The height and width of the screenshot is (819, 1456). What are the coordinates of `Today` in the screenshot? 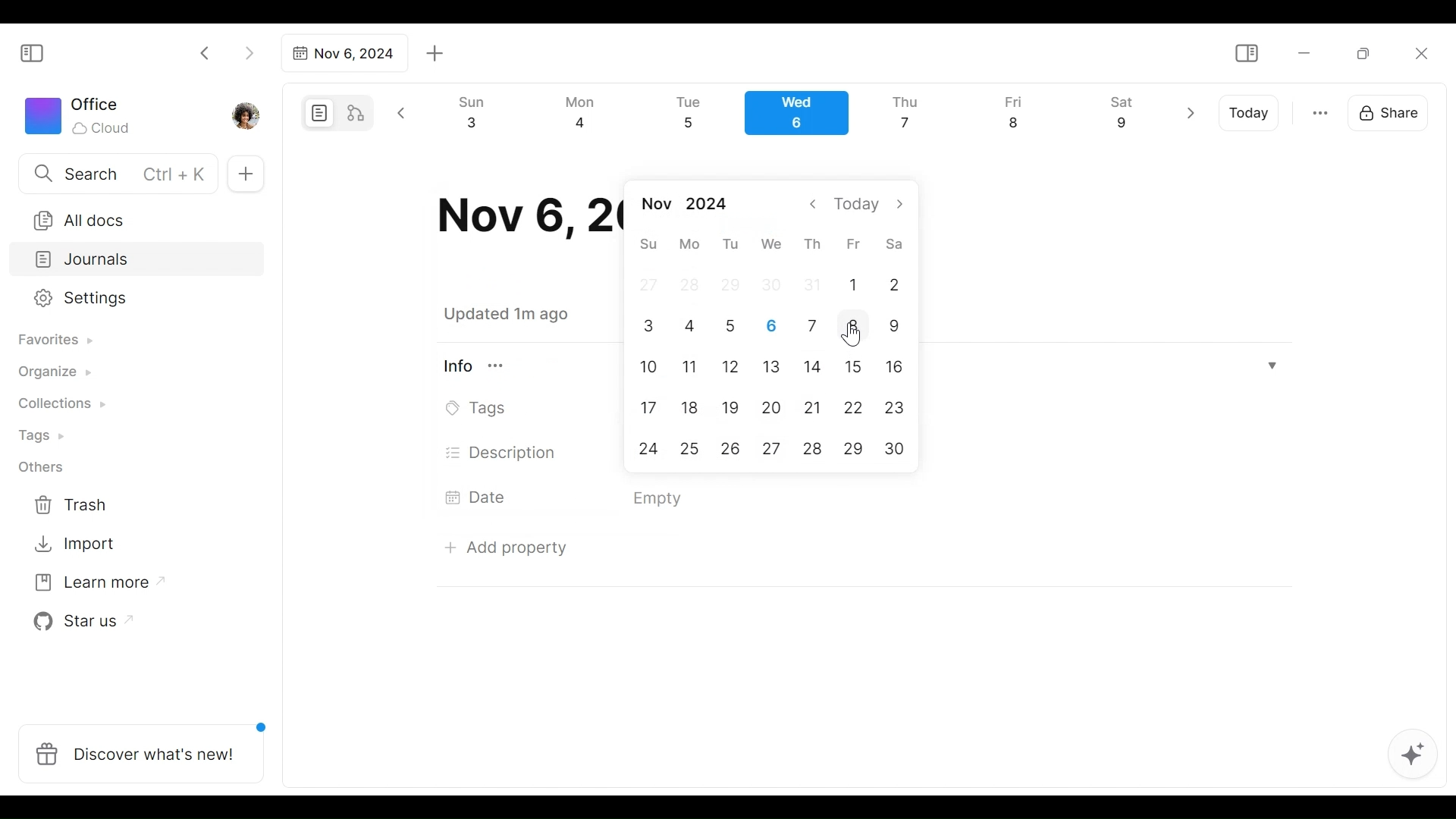 It's located at (1250, 113).